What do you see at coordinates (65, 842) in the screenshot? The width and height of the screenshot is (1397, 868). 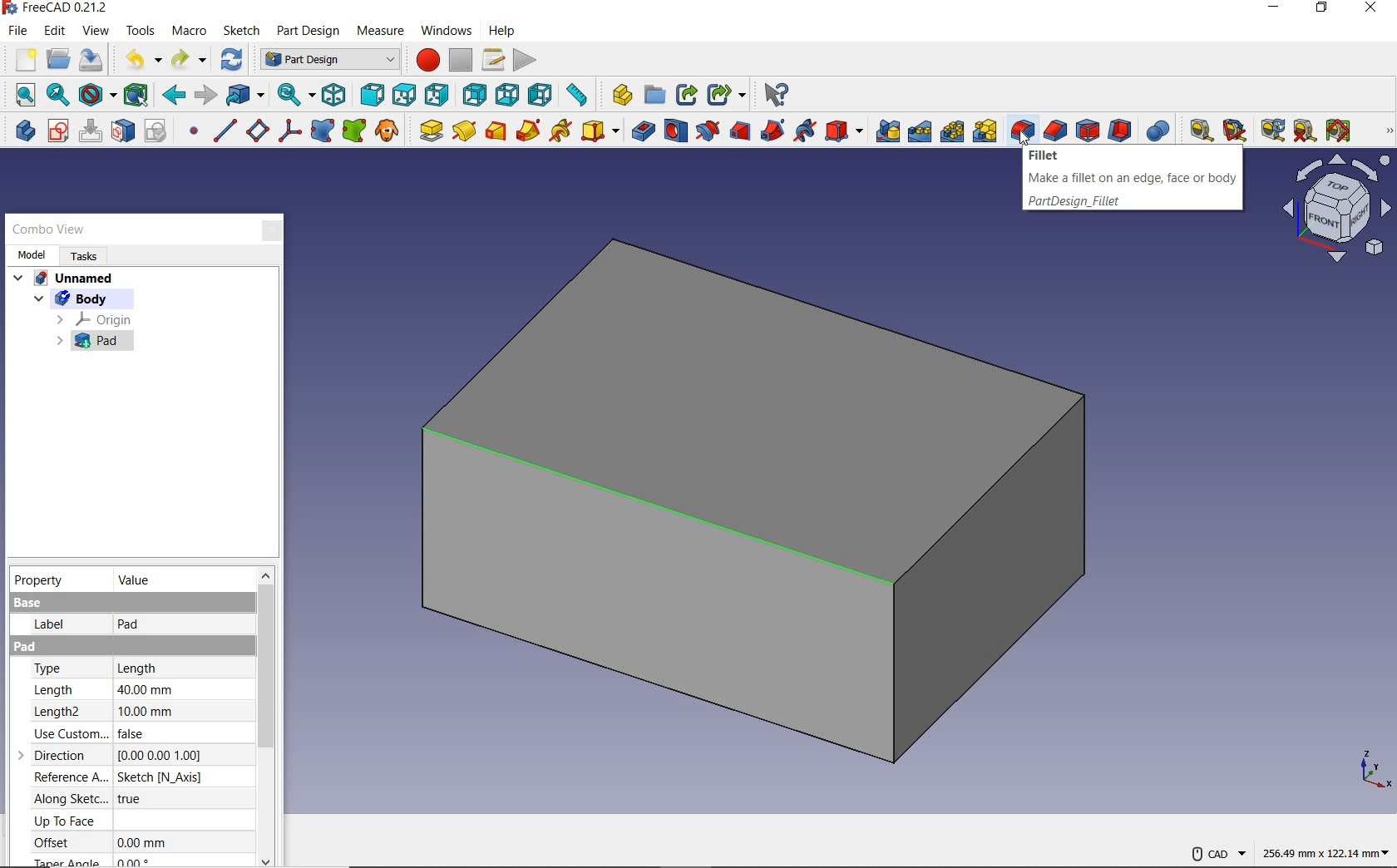 I see `offset` at bounding box center [65, 842].